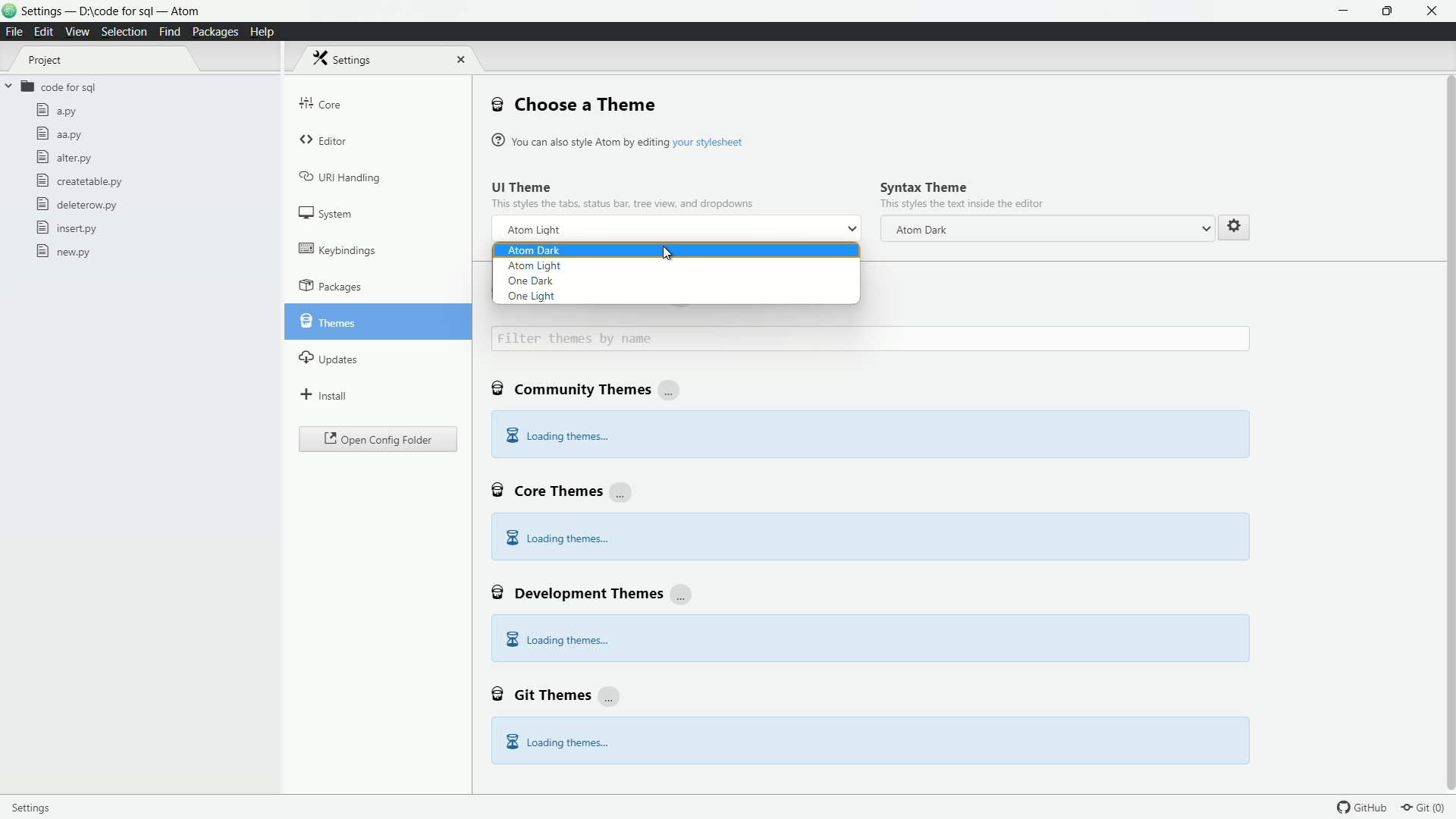  What do you see at coordinates (556, 641) in the screenshot?
I see `loading themes` at bounding box center [556, 641].